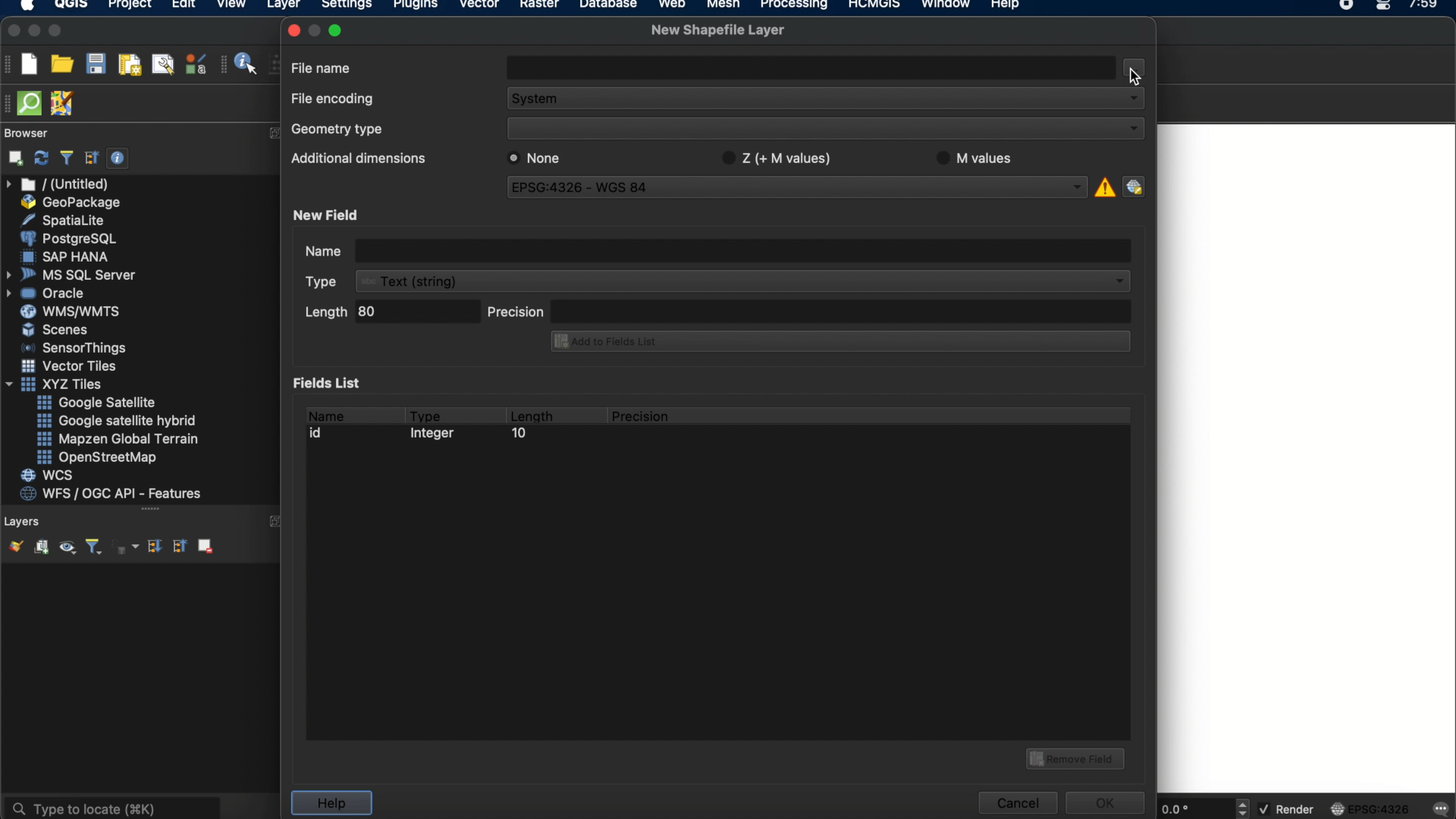 The image size is (1456, 819). I want to click on postgresql, so click(68, 239).